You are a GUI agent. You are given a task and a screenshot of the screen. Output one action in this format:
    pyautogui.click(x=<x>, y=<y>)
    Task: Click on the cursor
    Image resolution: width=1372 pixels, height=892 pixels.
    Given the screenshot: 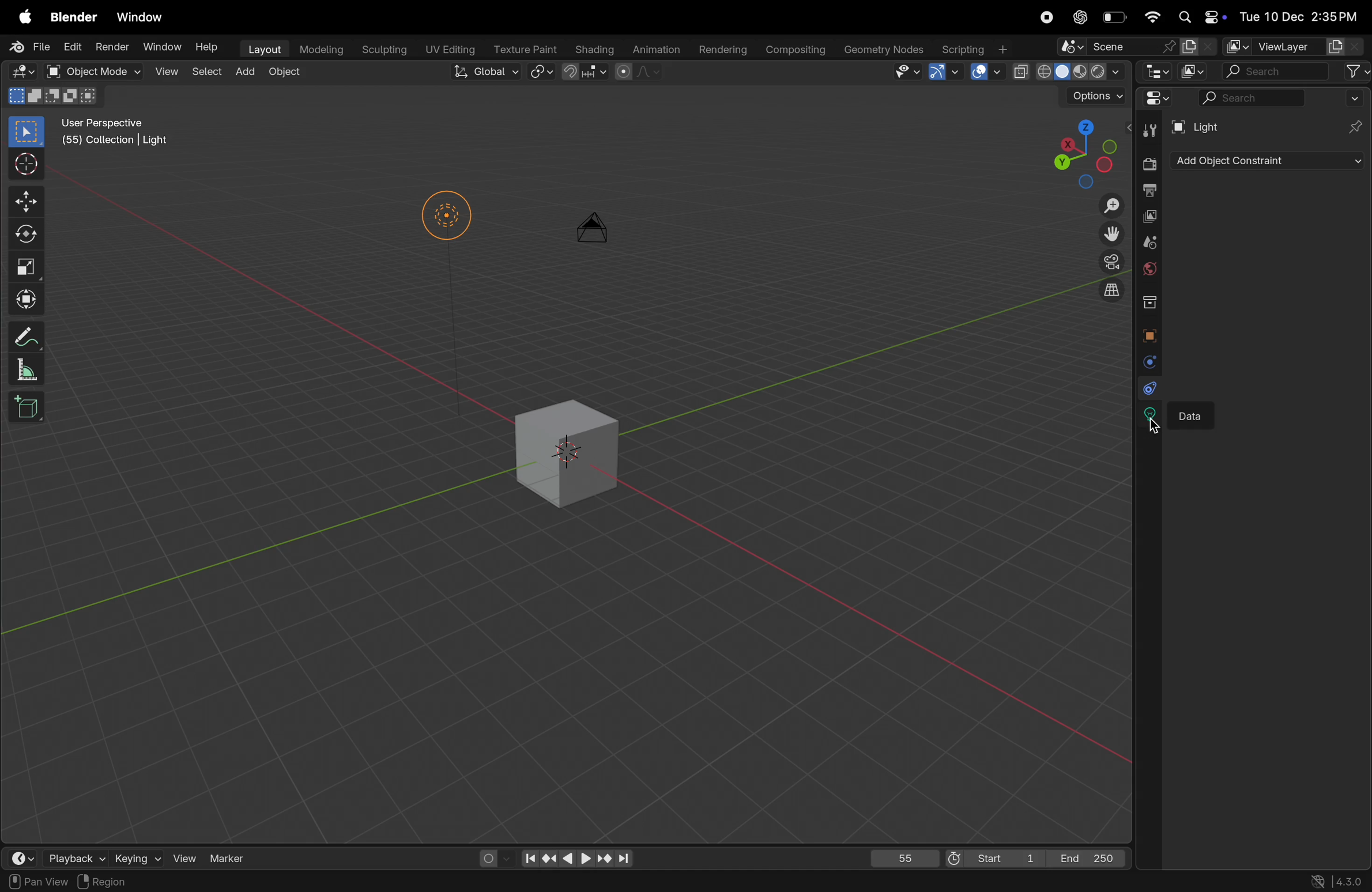 What is the action you would take?
    pyautogui.click(x=1158, y=424)
    